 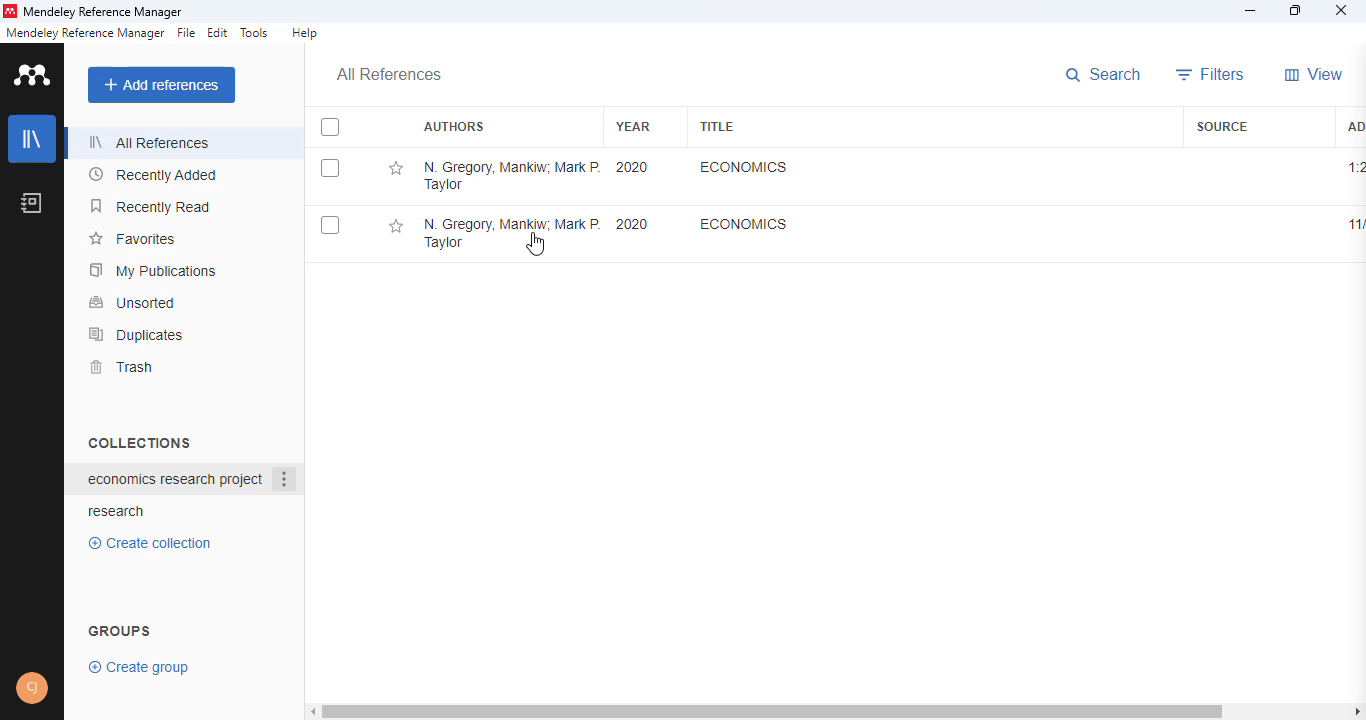 I want to click on authors, so click(x=453, y=127).